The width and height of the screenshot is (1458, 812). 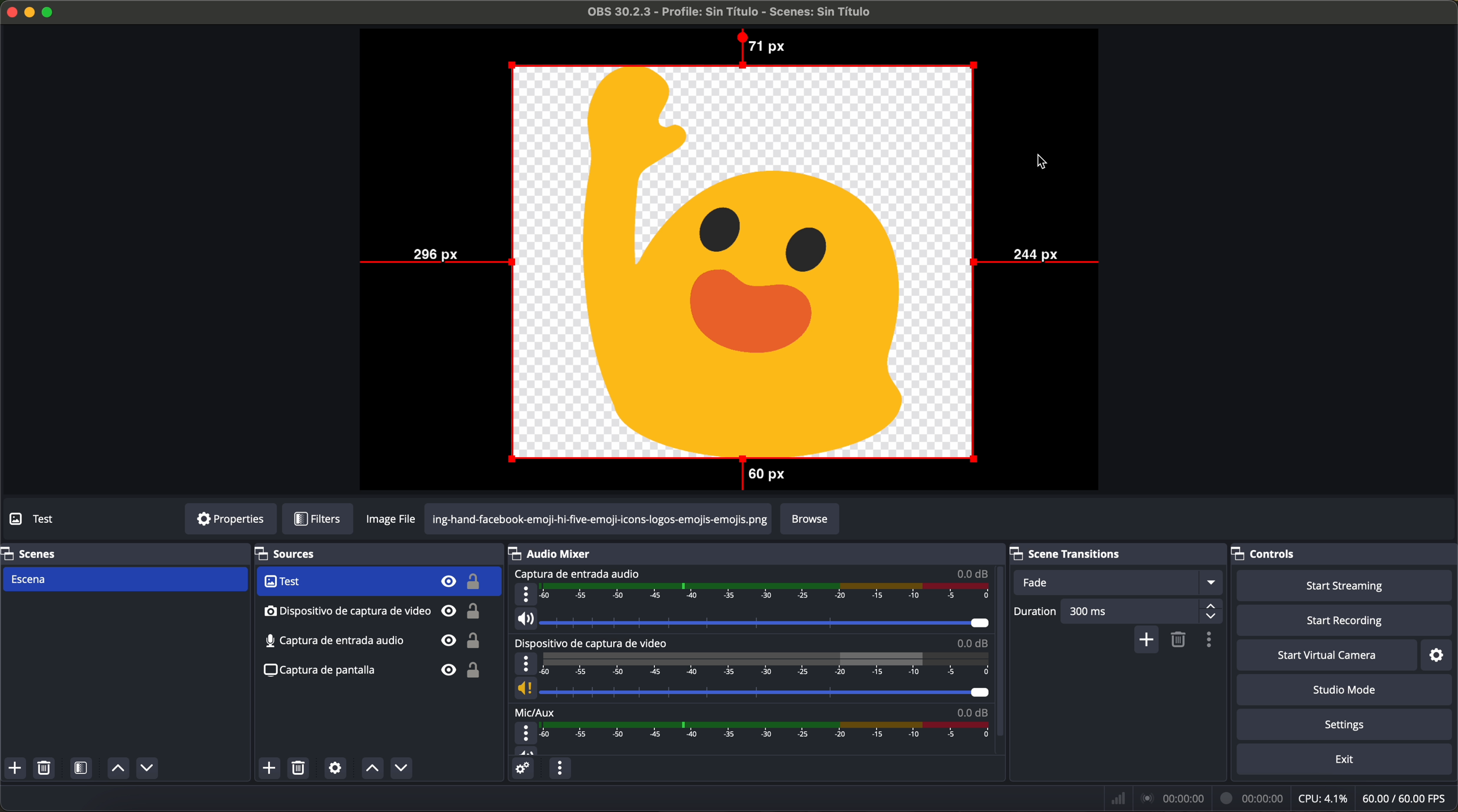 I want to click on close program, so click(x=10, y=11).